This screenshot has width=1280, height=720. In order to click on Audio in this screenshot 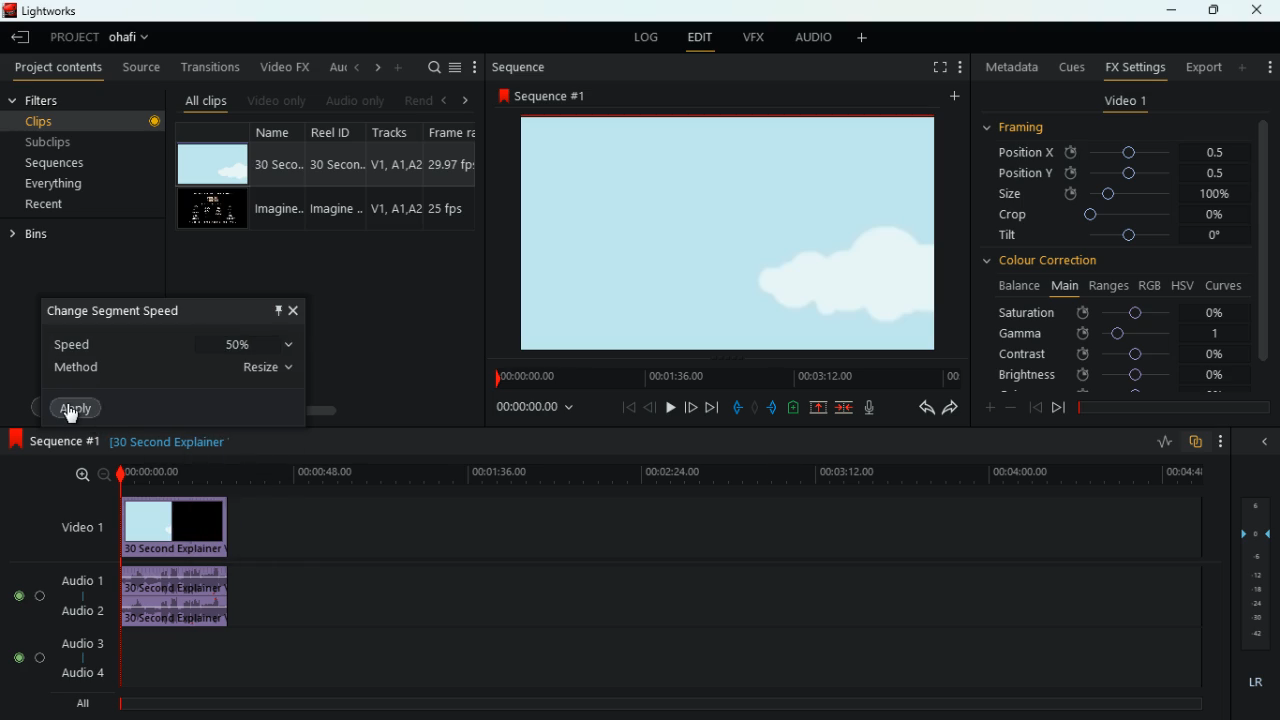, I will do `click(30, 595)`.